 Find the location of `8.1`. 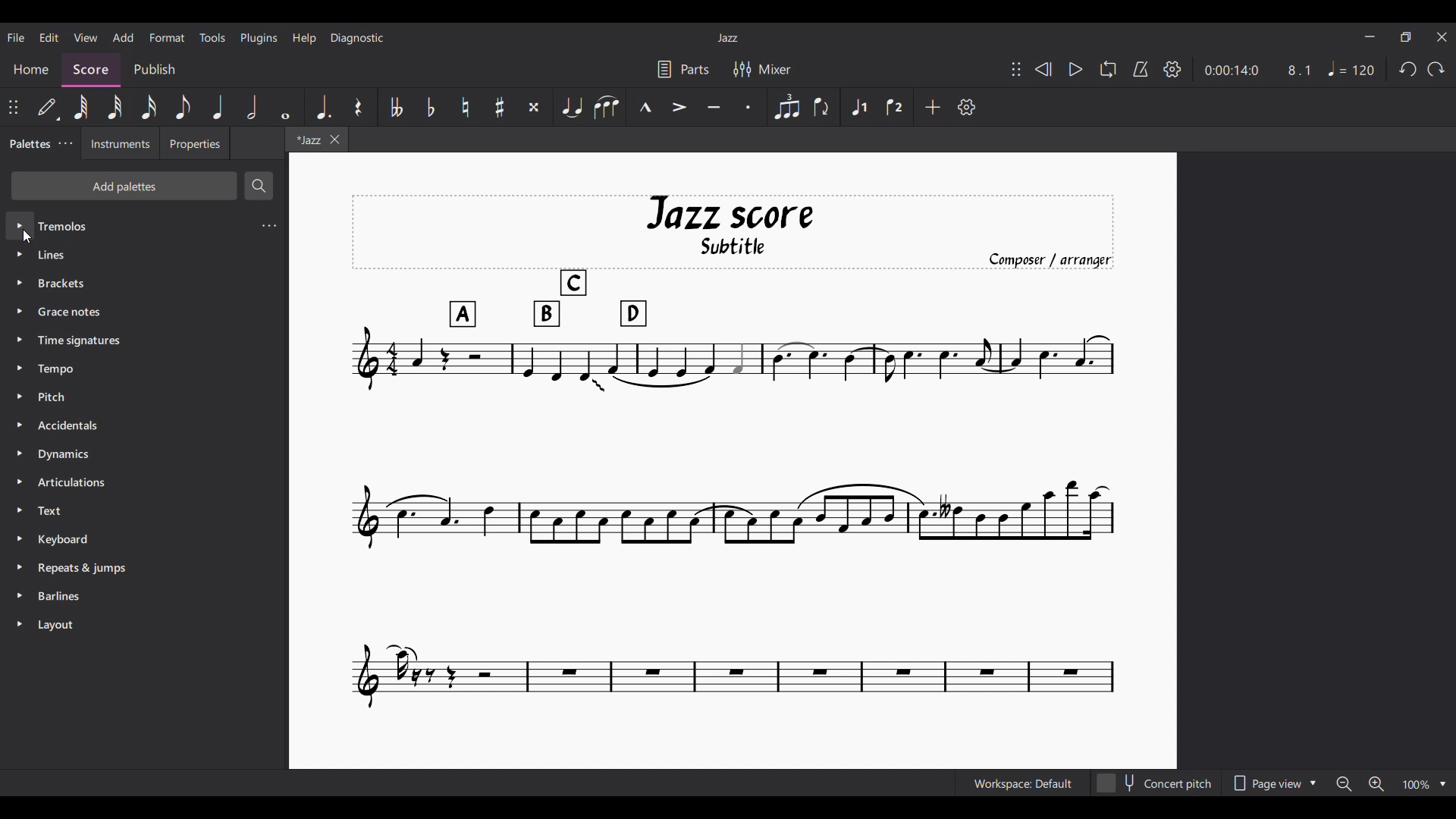

8.1 is located at coordinates (1299, 70).